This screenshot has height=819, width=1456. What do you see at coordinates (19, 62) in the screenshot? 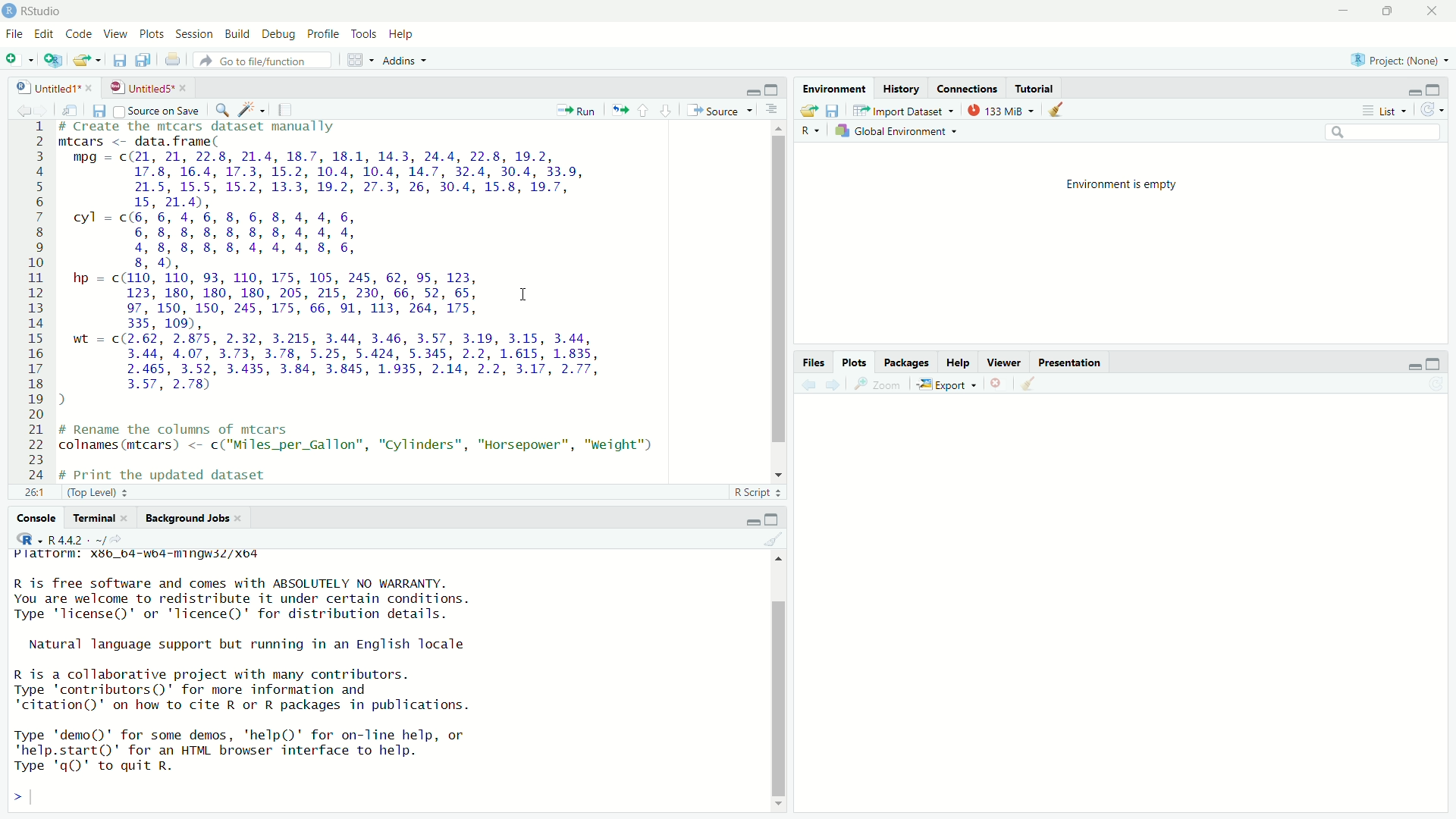
I see `add` at bounding box center [19, 62].